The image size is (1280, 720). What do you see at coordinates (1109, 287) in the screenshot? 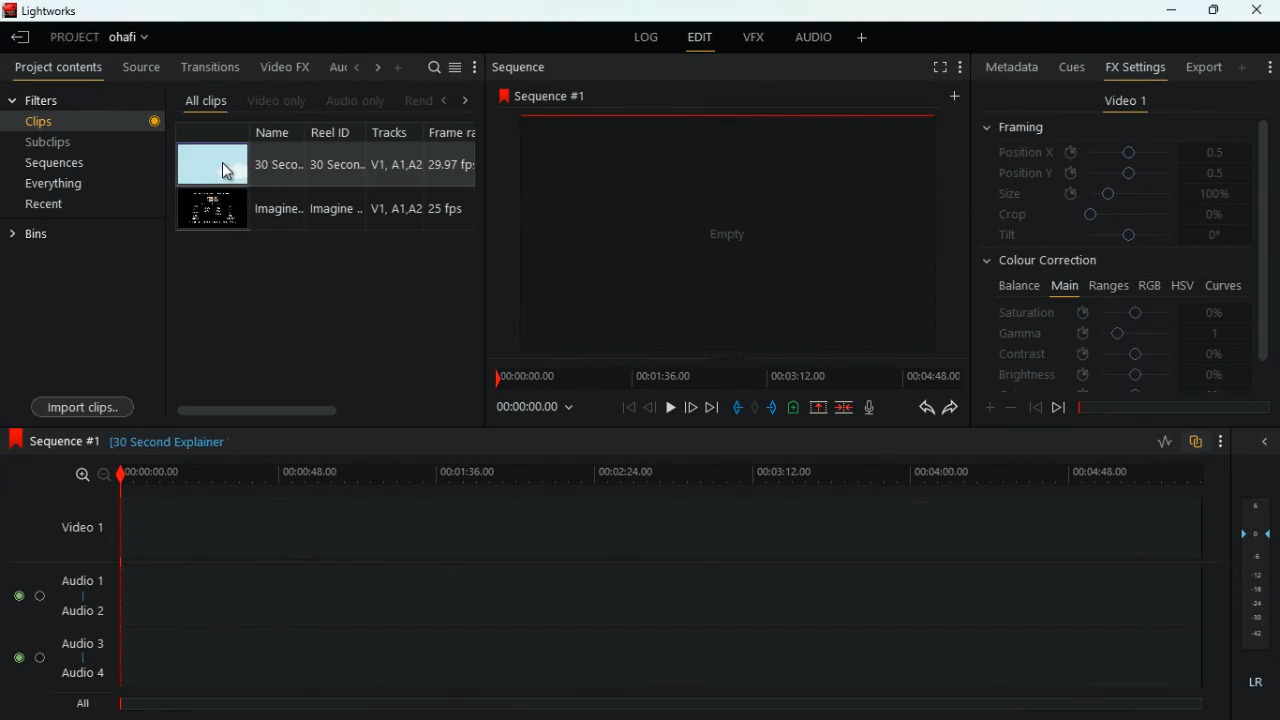
I see `ranges` at bounding box center [1109, 287].